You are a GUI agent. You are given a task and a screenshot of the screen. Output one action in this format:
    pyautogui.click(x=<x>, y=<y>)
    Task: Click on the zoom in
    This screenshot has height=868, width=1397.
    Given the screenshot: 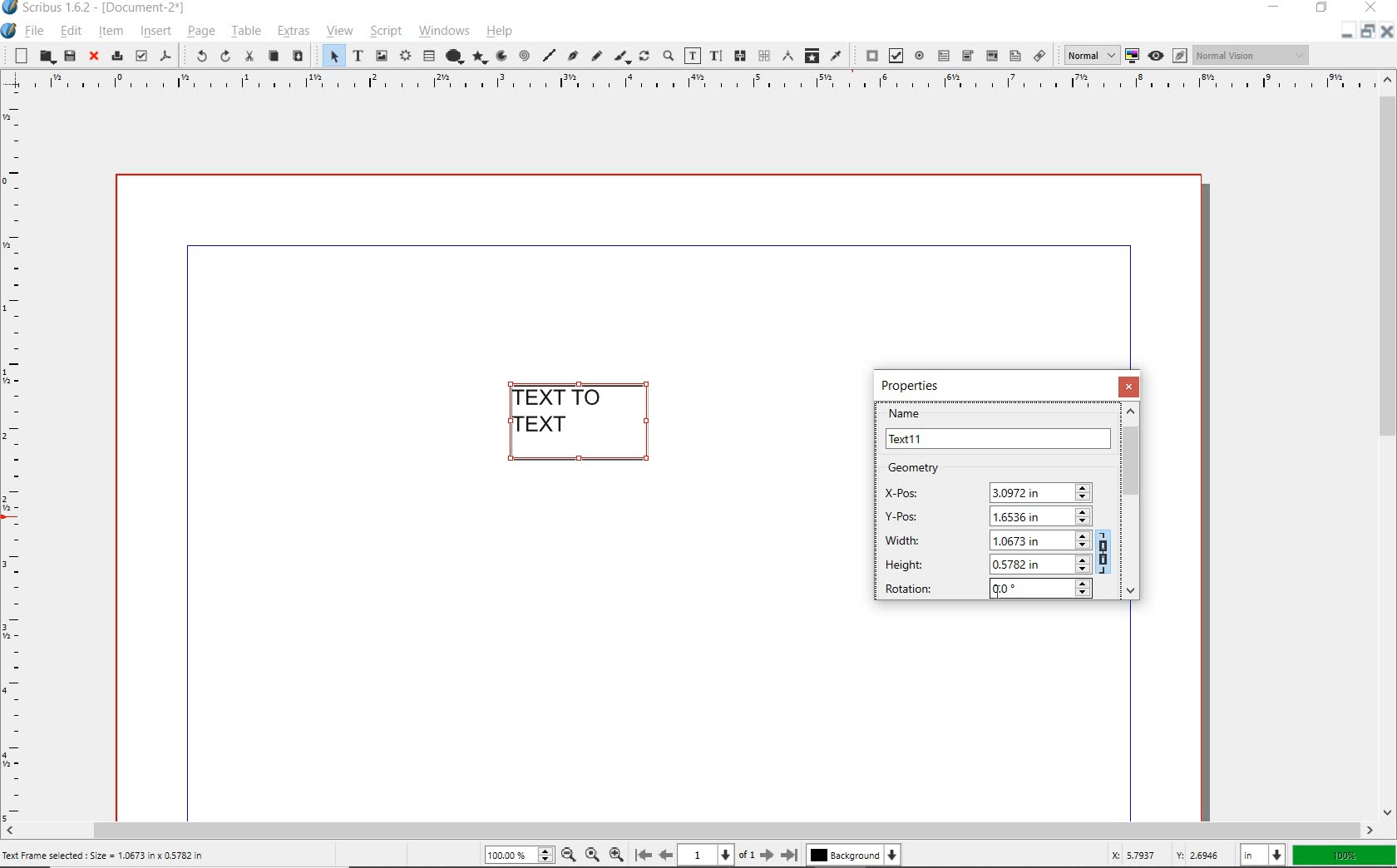 What is the action you would take?
    pyautogui.click(x=620, y=852)
    